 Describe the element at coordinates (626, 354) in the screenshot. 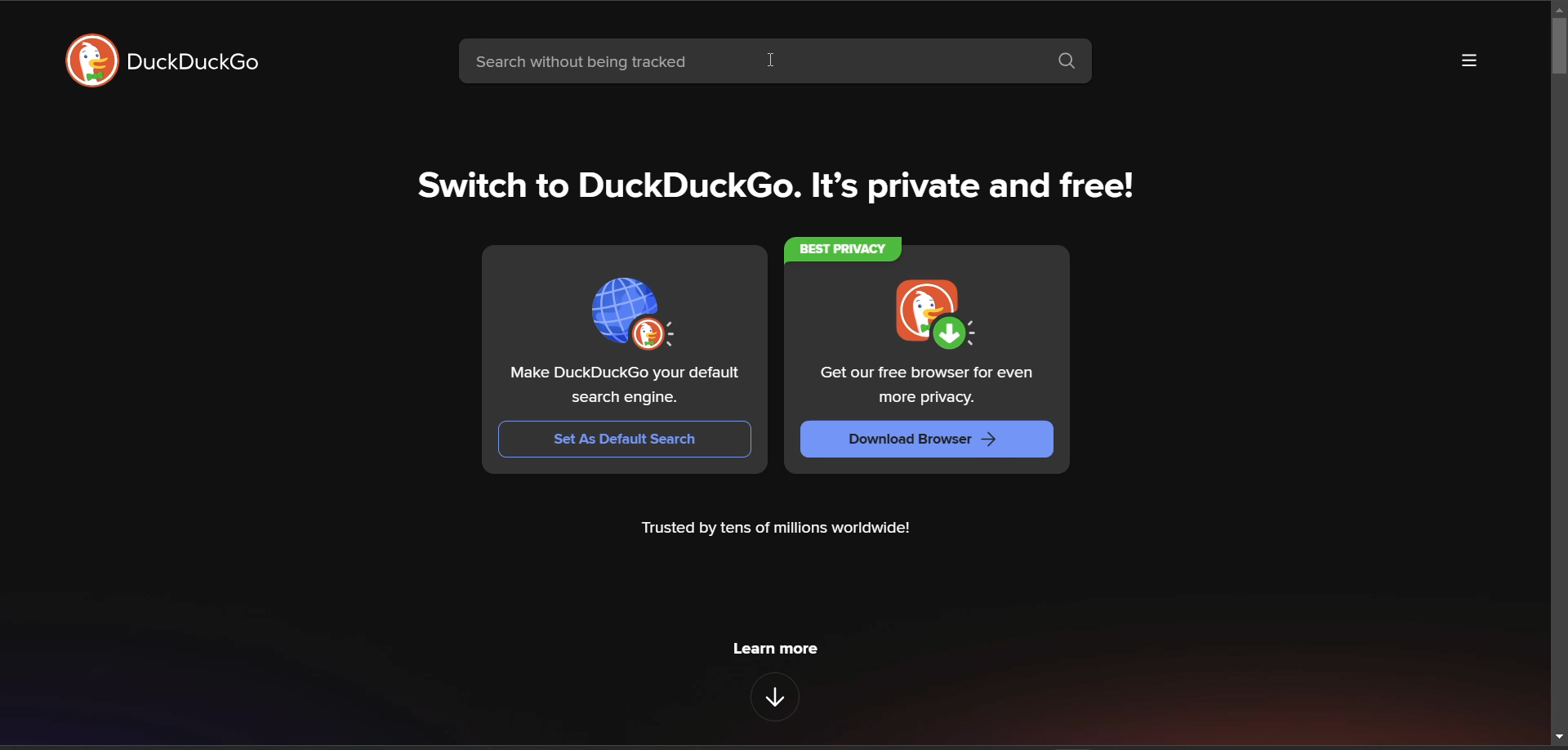

I see `Make DuckDuckGo your default
search engine.
Set As Default Search` at that location.